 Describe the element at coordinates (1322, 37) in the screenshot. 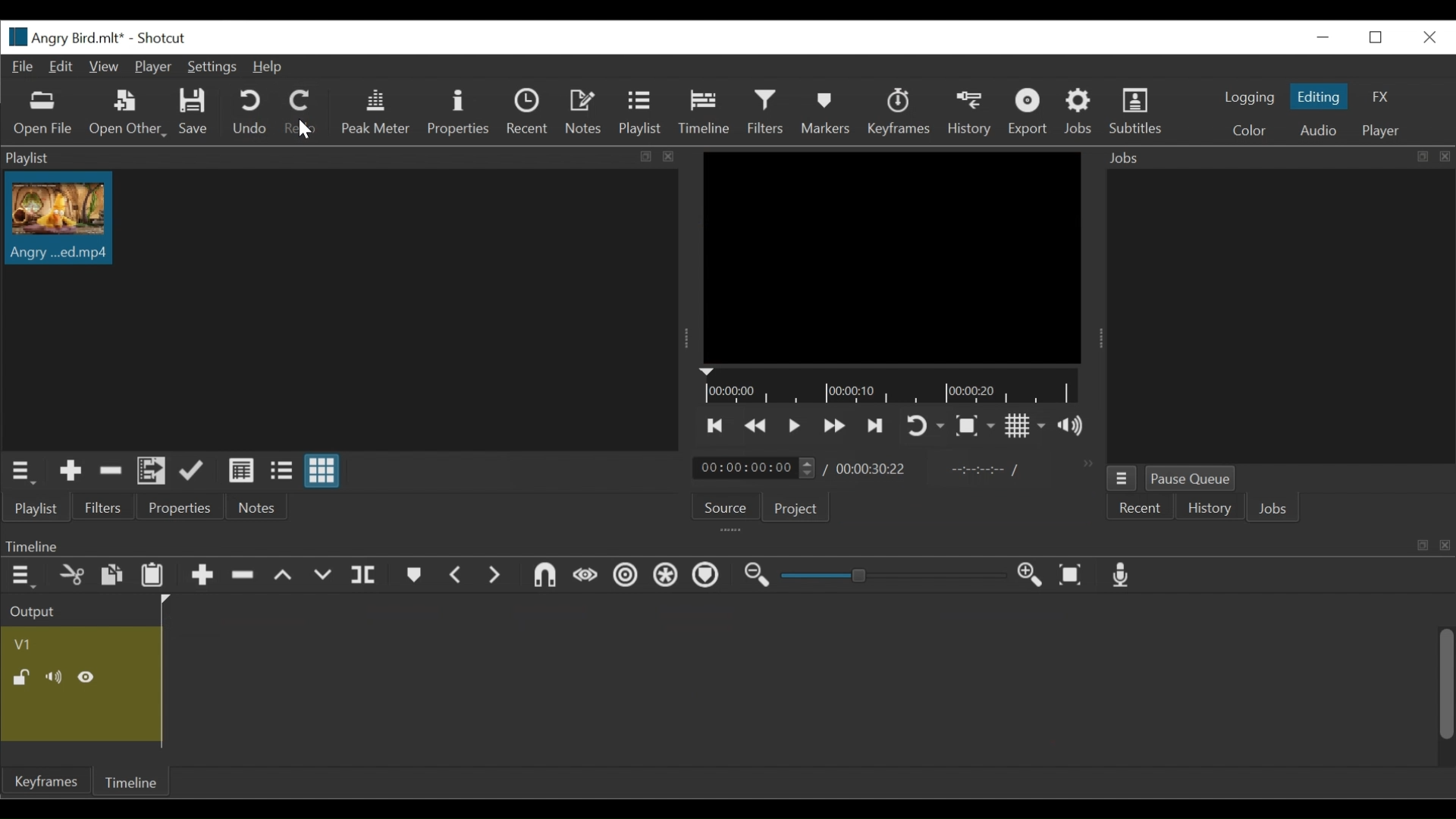

I see `minimize` at that location.